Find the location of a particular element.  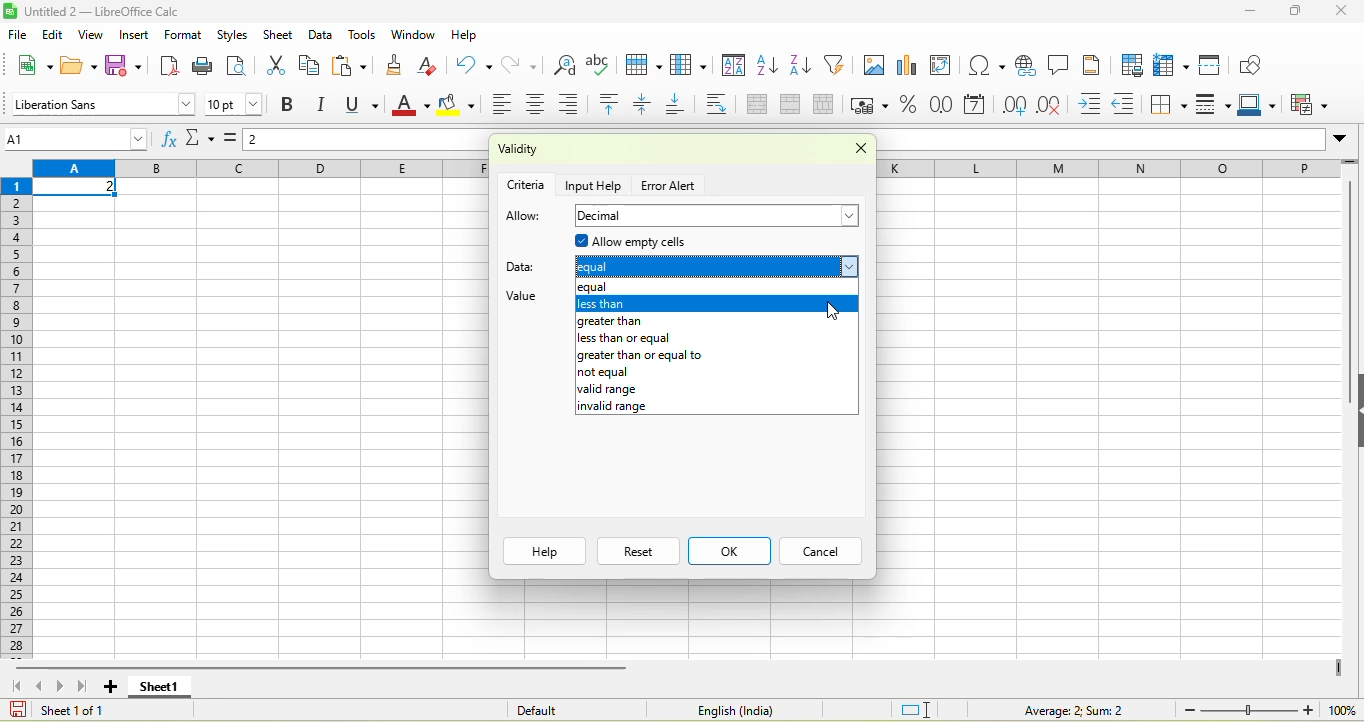

tools is located at coordinates (362, 36).